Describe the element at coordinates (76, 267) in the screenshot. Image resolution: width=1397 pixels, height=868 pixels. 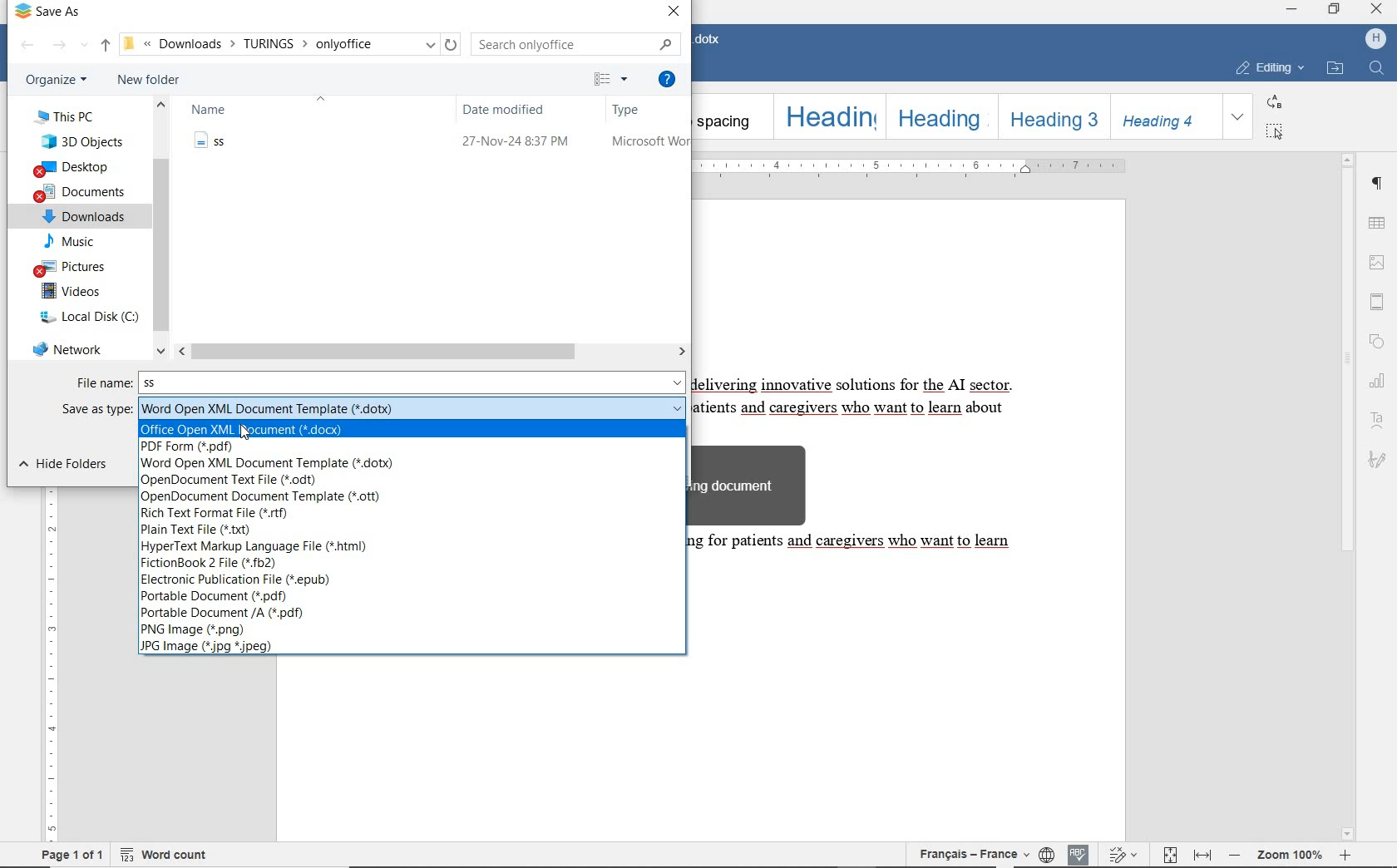
I see `PICTURES` at that location.